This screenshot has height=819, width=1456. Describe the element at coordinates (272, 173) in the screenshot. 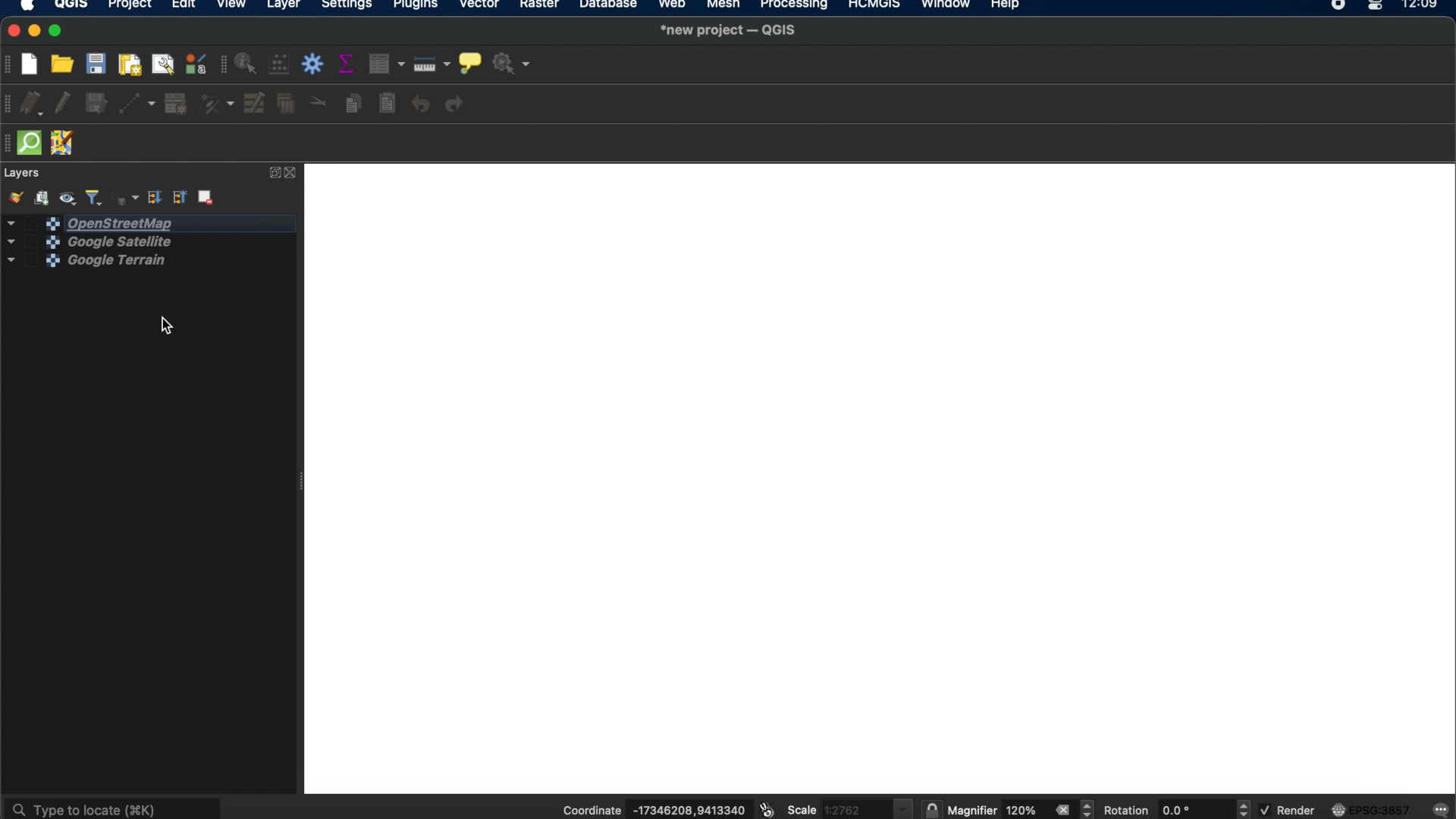

I see `expand` at that location.